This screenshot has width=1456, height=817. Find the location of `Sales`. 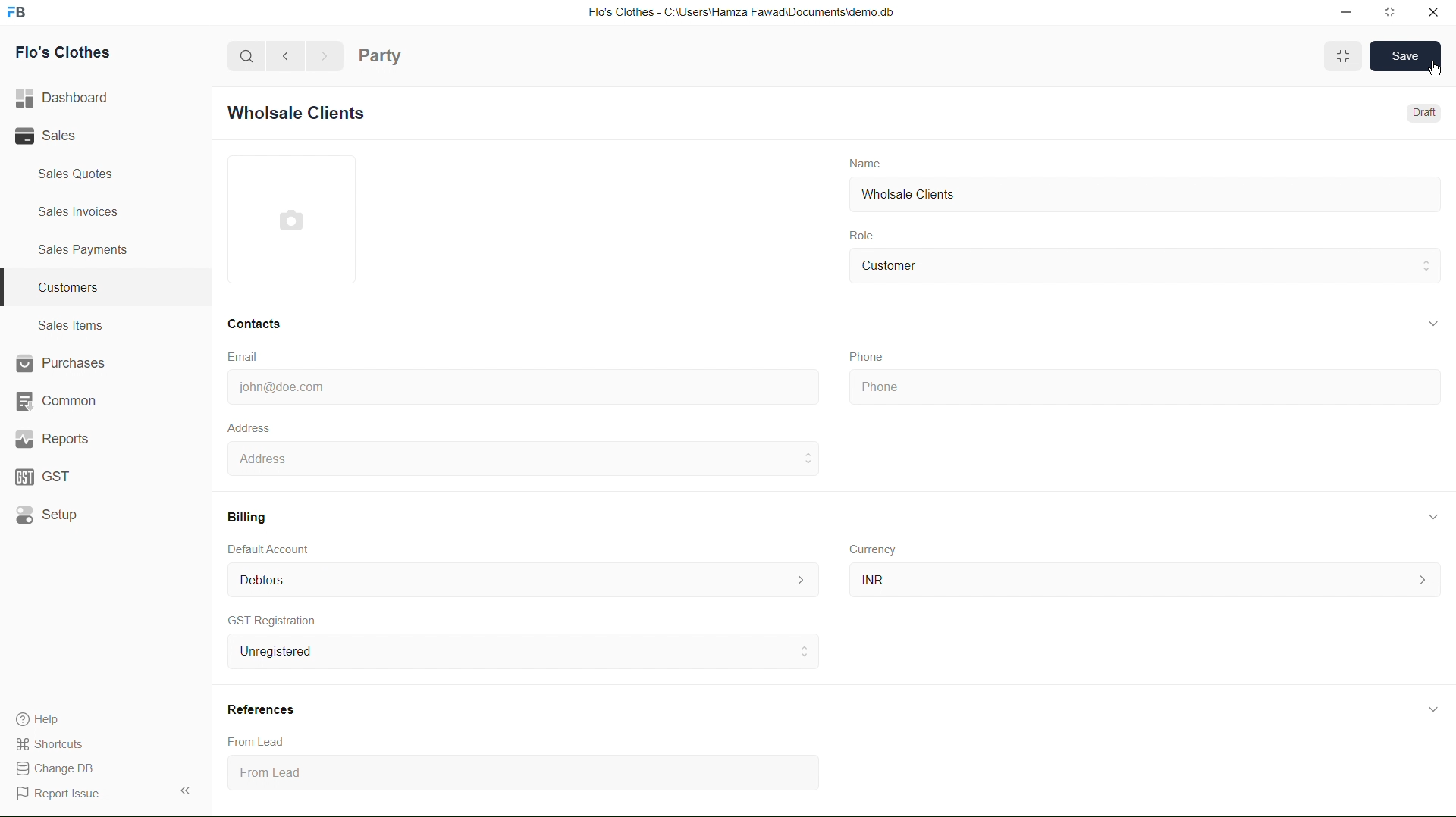

Sales is located at coordinates (53, 137).